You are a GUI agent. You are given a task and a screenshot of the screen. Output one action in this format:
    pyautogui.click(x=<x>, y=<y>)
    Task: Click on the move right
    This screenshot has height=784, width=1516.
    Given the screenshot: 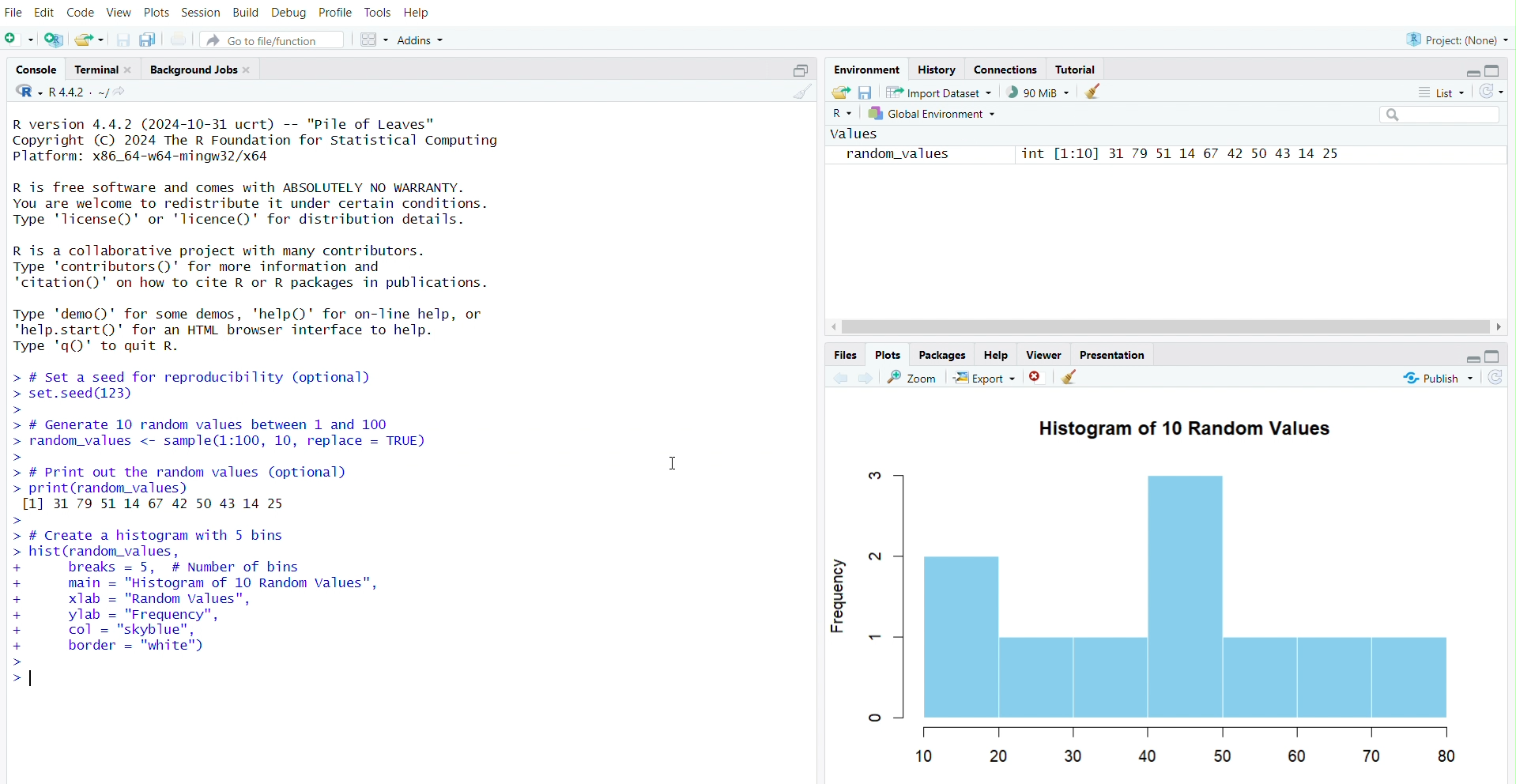 What is the action you would take?
    pyautogui.click(x=1499, y=326)
    